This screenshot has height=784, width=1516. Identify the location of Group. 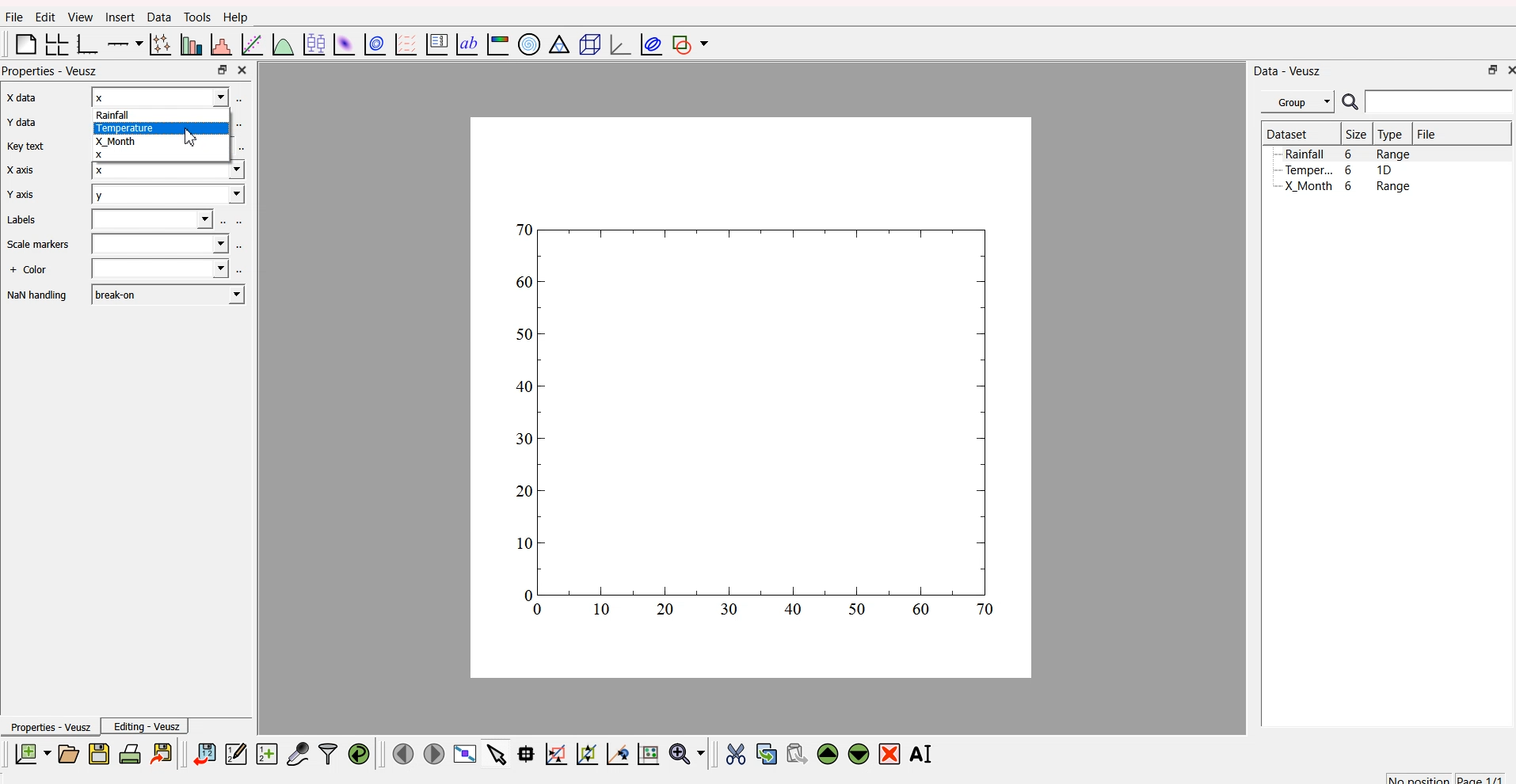
(1297, 102).